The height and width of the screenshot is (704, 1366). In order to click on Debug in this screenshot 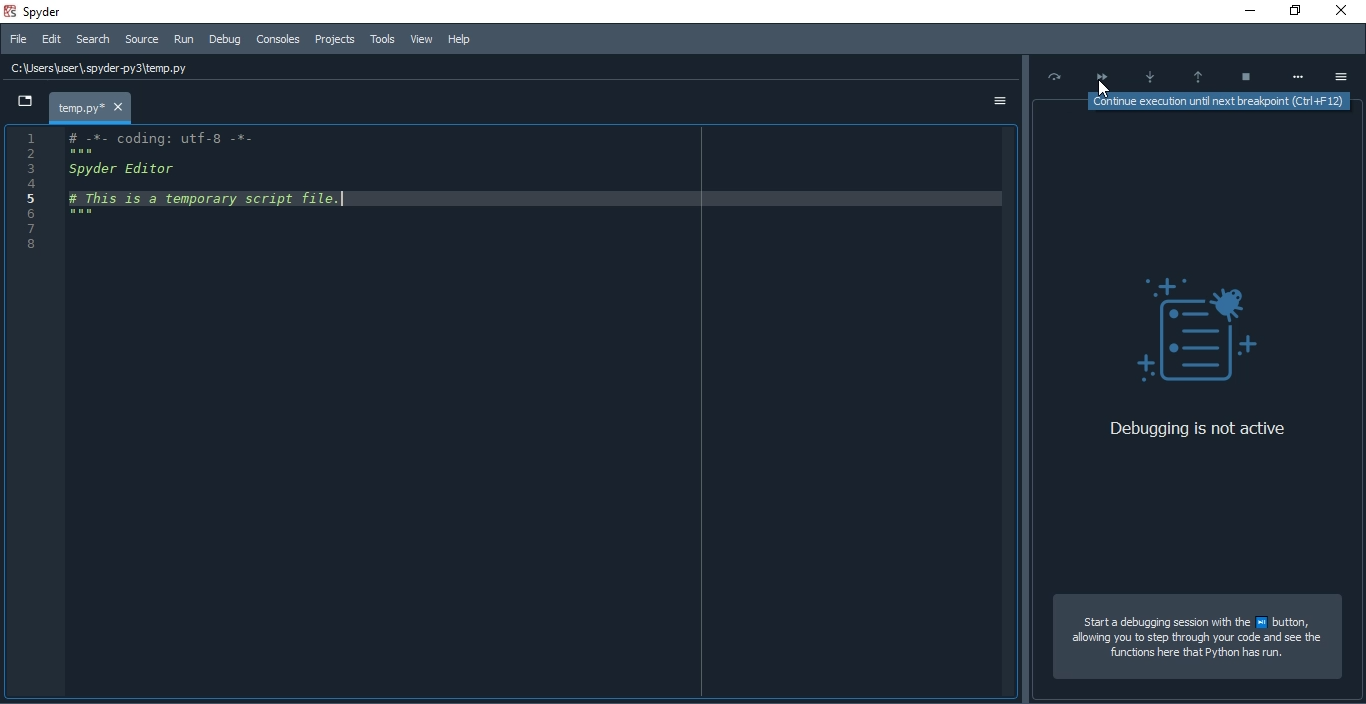, I will do `click(226, 38)`.